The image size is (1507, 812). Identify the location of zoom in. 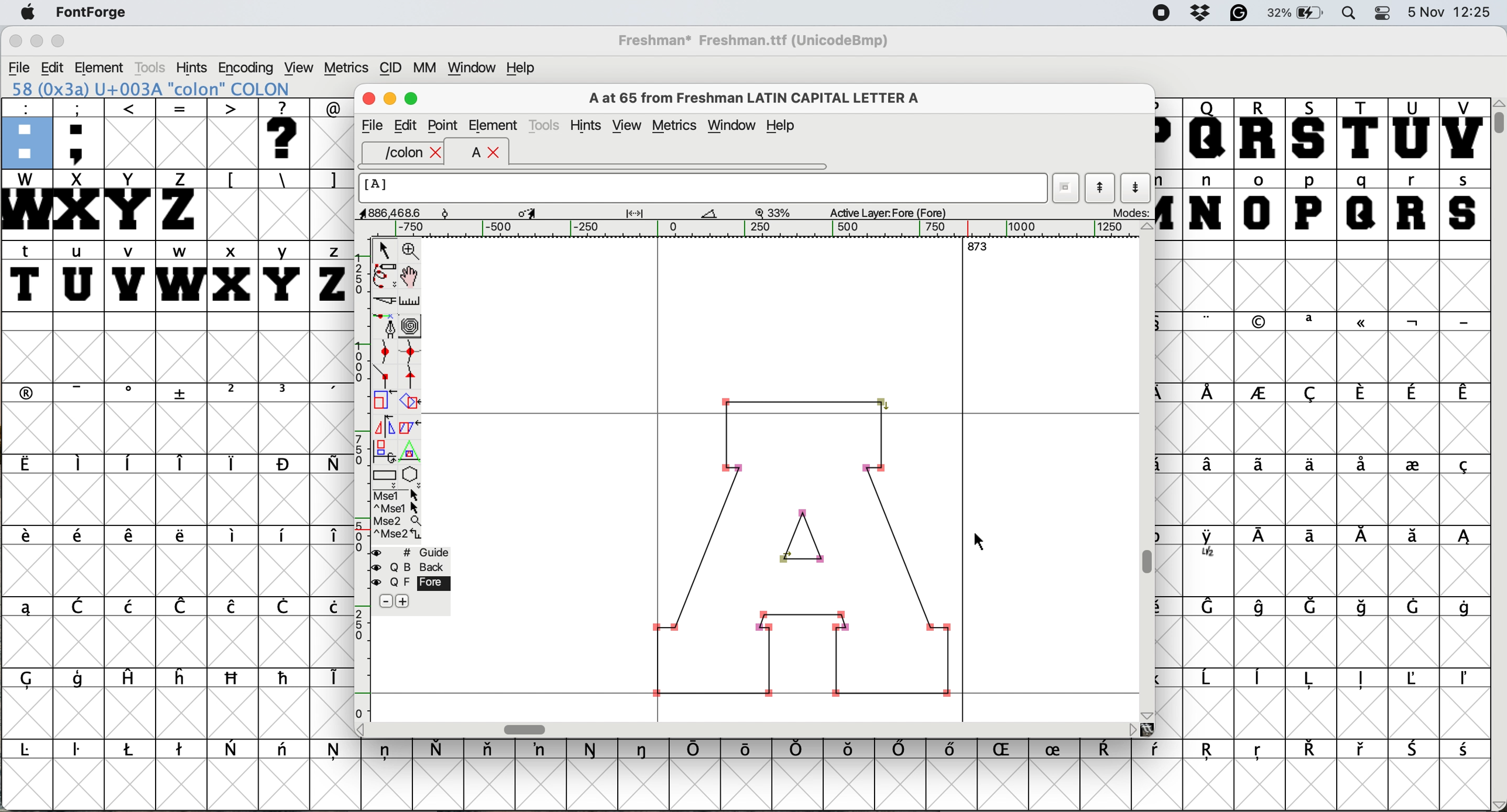
(411, 248).